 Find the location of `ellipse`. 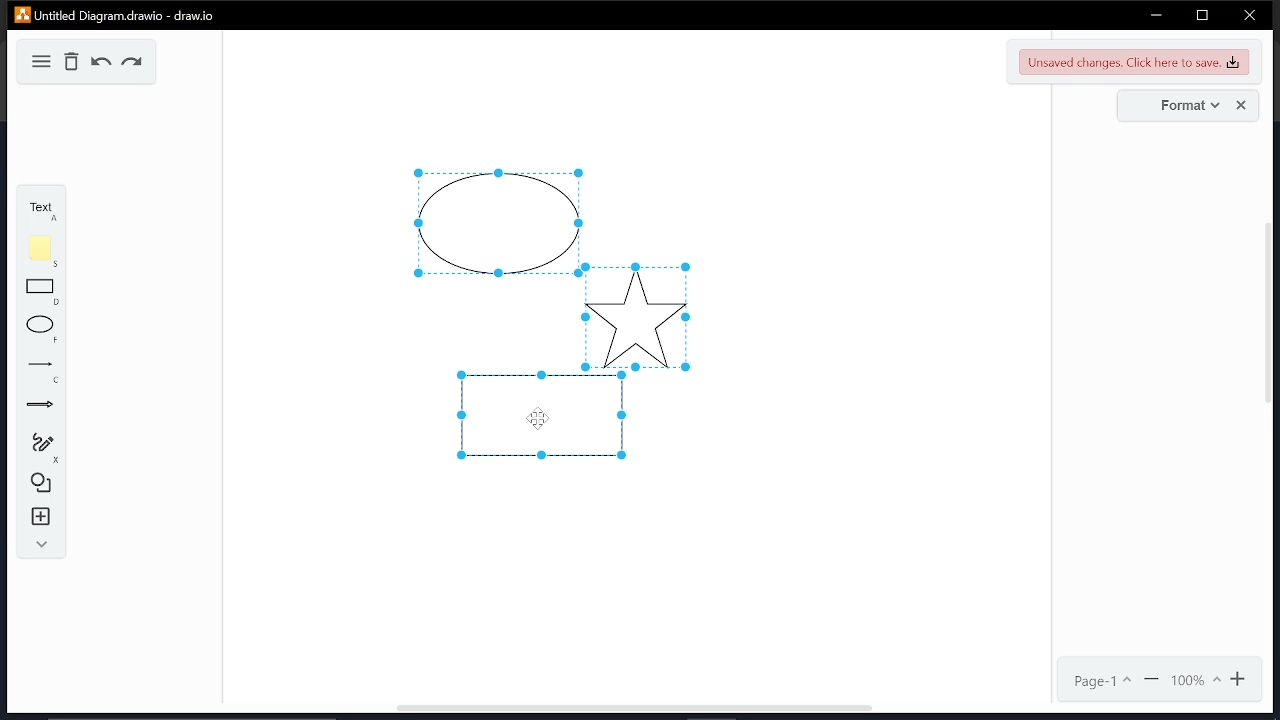

ellipse is located at coordinates (42, 330).